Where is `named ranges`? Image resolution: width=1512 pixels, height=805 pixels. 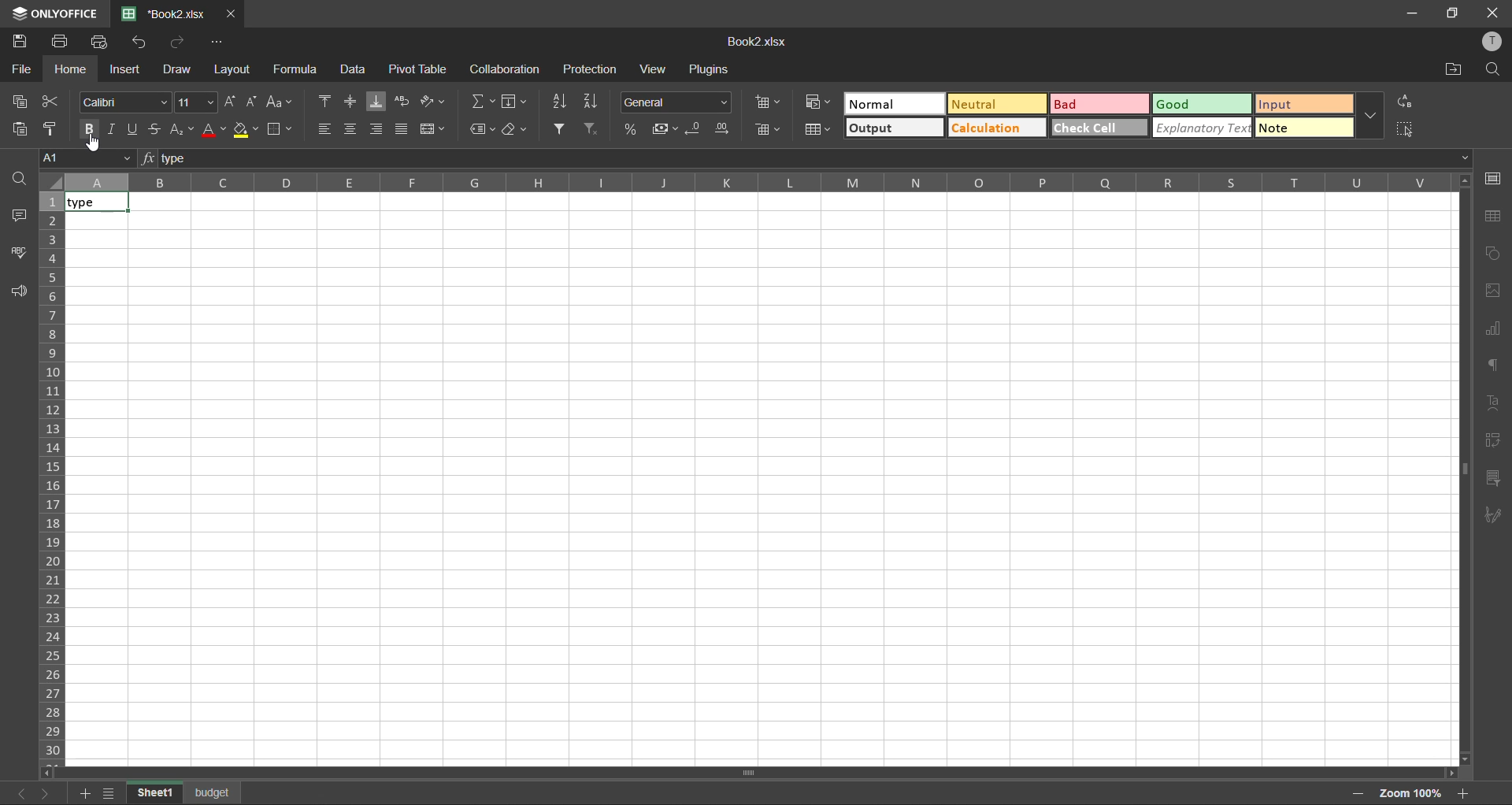 named ranges is located at coordinates (483, 130).